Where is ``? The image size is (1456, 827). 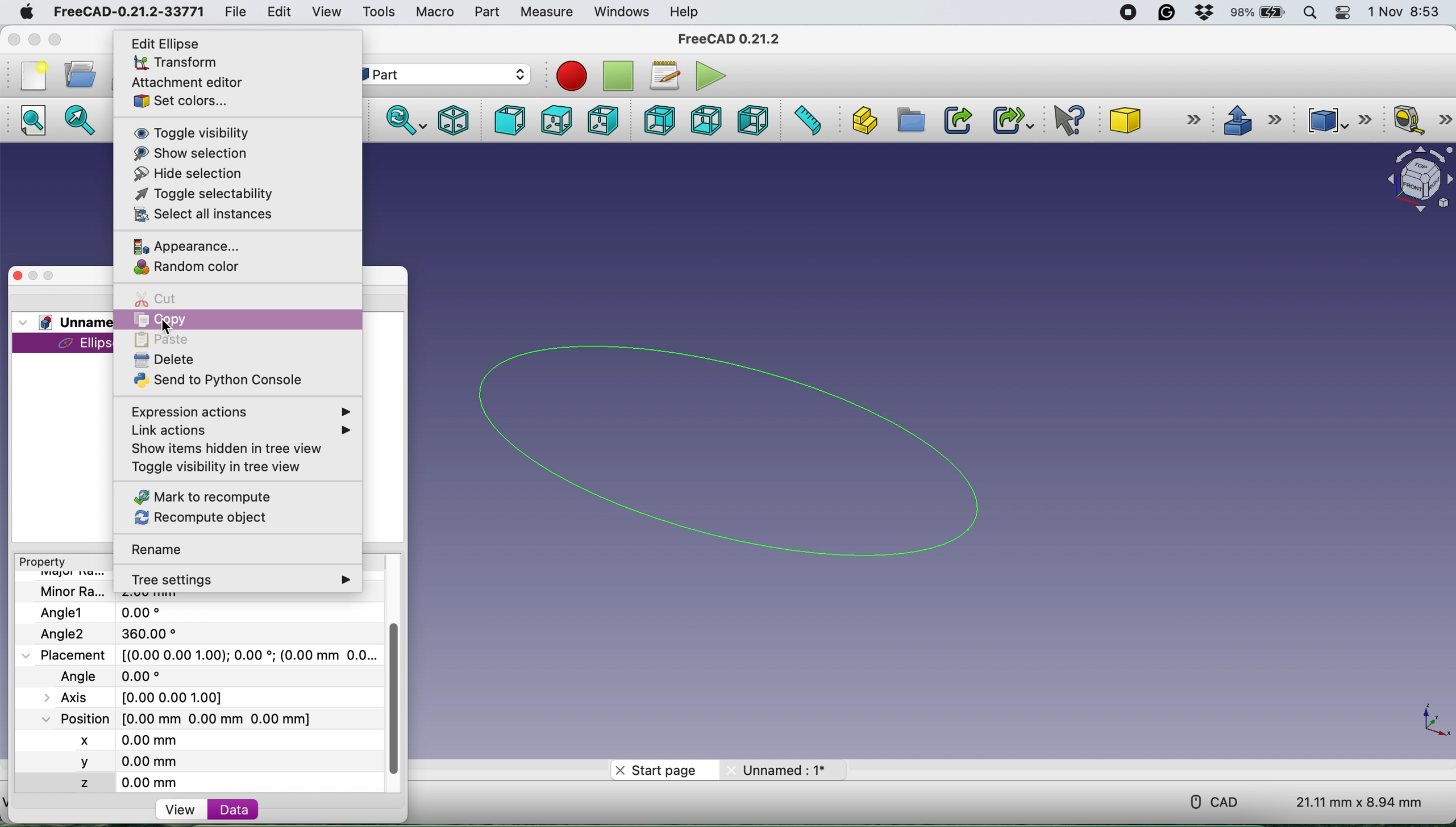  is located at coordinates (1445, 13).